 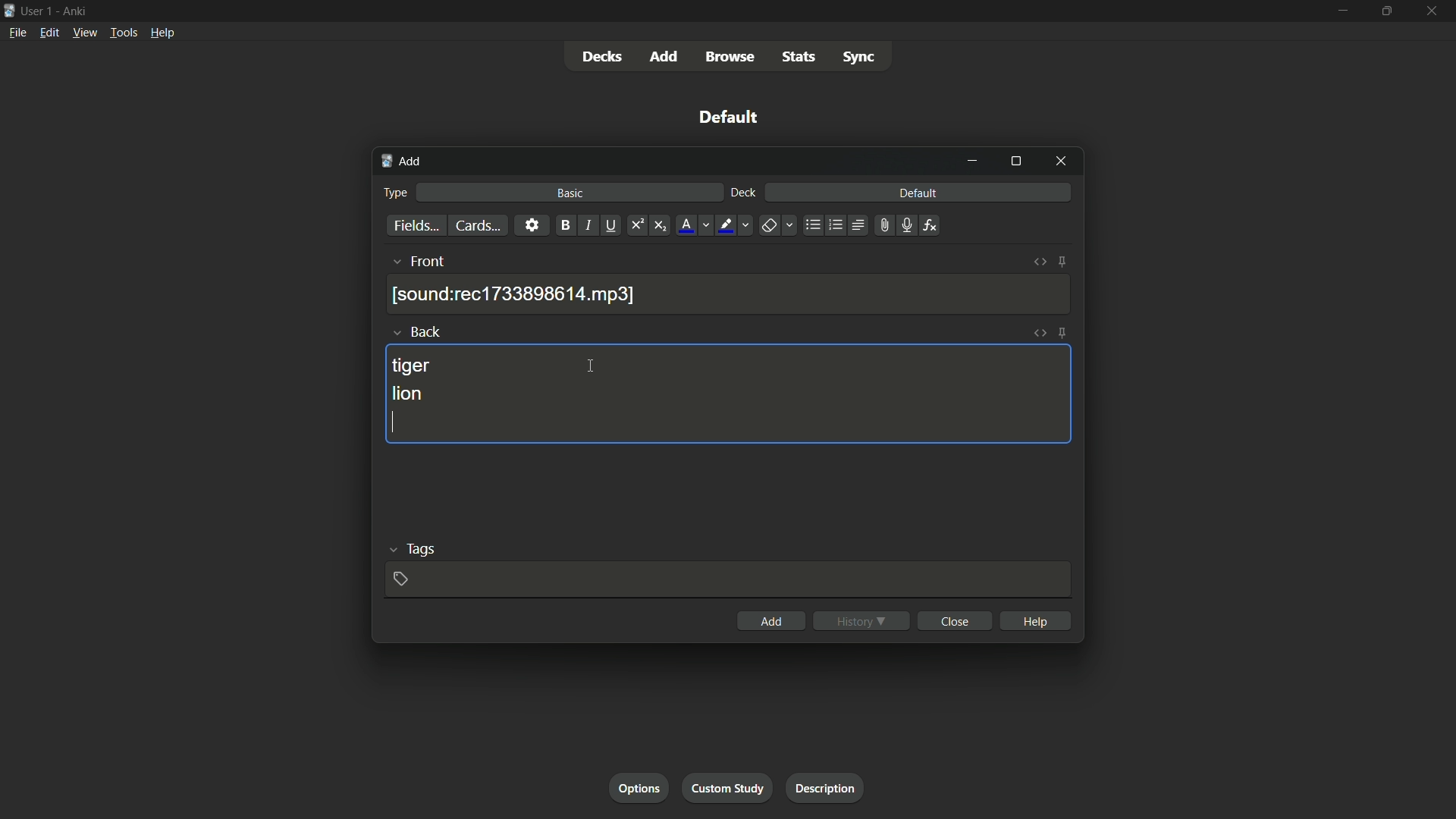 I want to click on history, so click(x=861, y=620).